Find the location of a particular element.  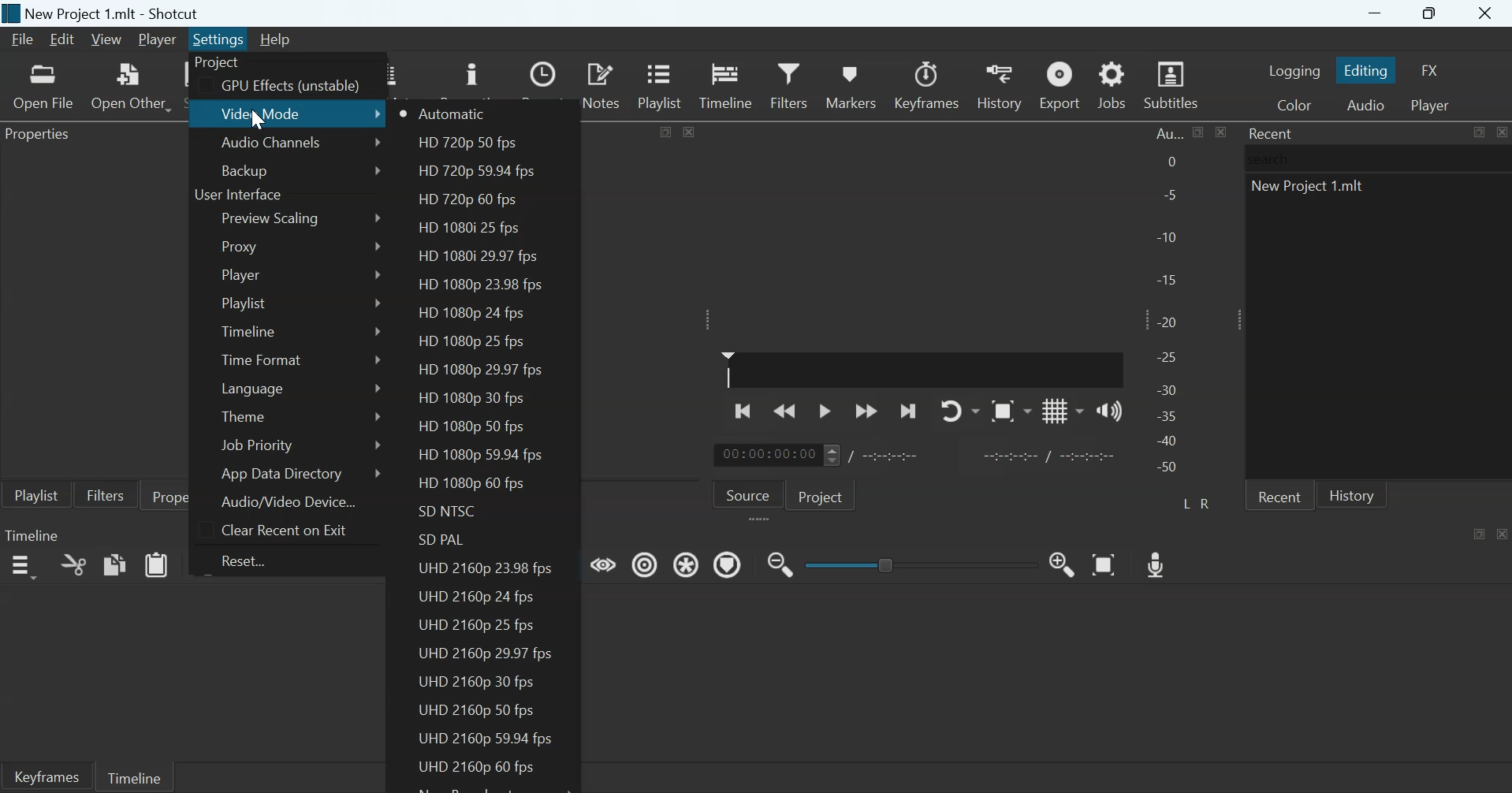

File is located at coordinates (24, 39).